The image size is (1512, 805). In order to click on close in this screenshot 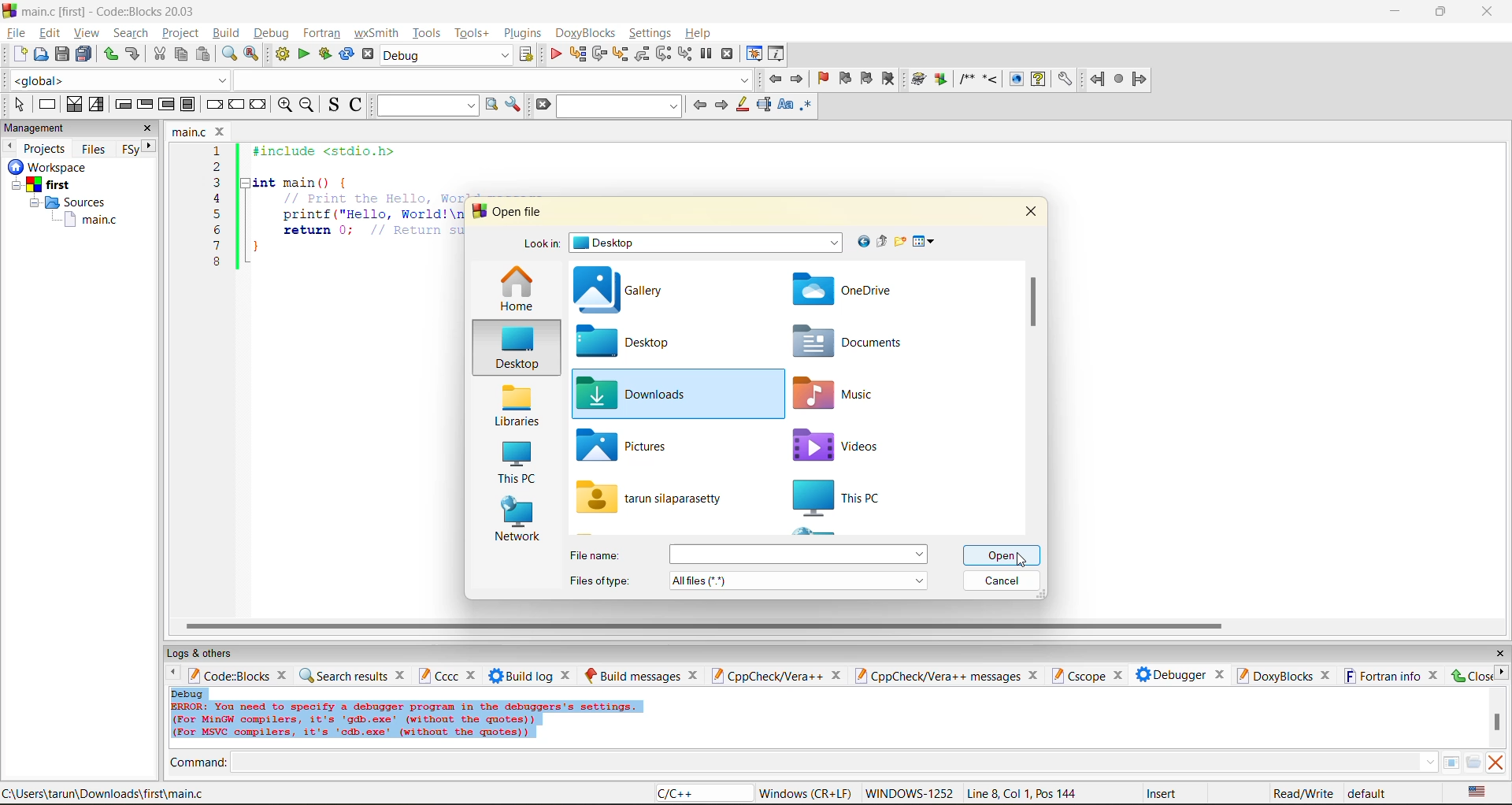, I will do `click(402, 674)`.